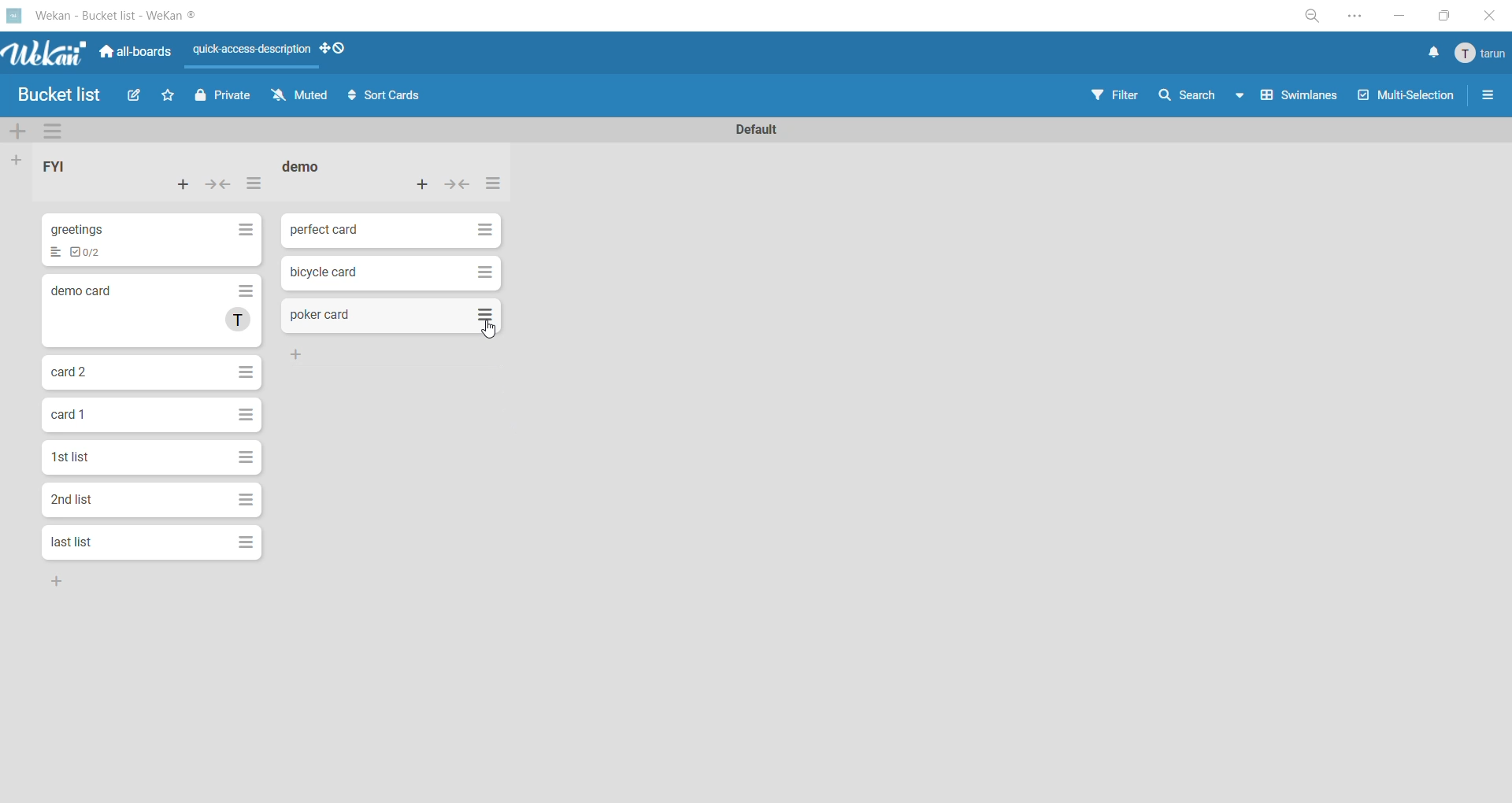  What do you see at coordinates (326, 274) in the screenshot?
I see `bicycle card` at bounding box center [326, 274].